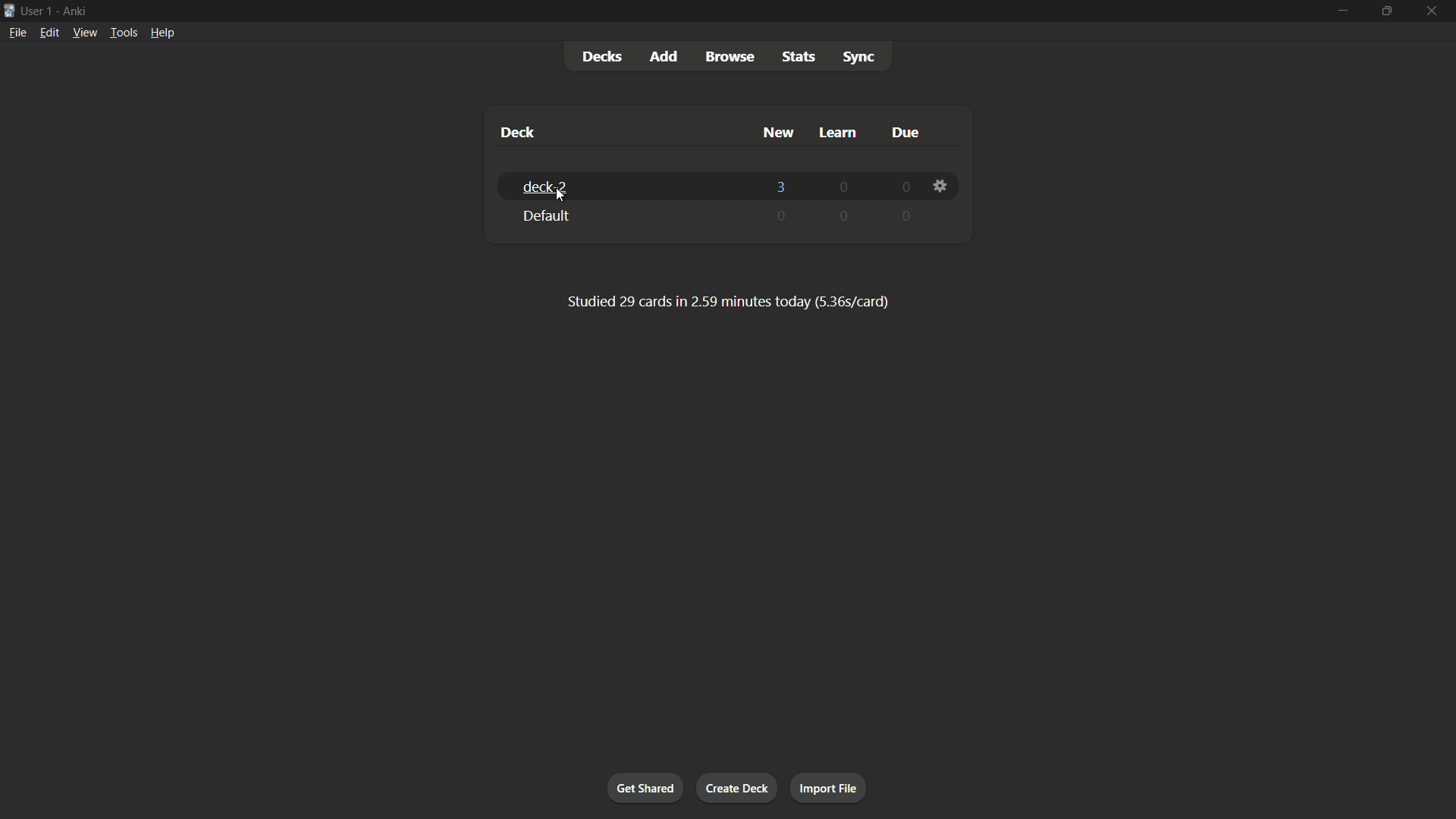  I want to click on minimize, so click(1345, 11).